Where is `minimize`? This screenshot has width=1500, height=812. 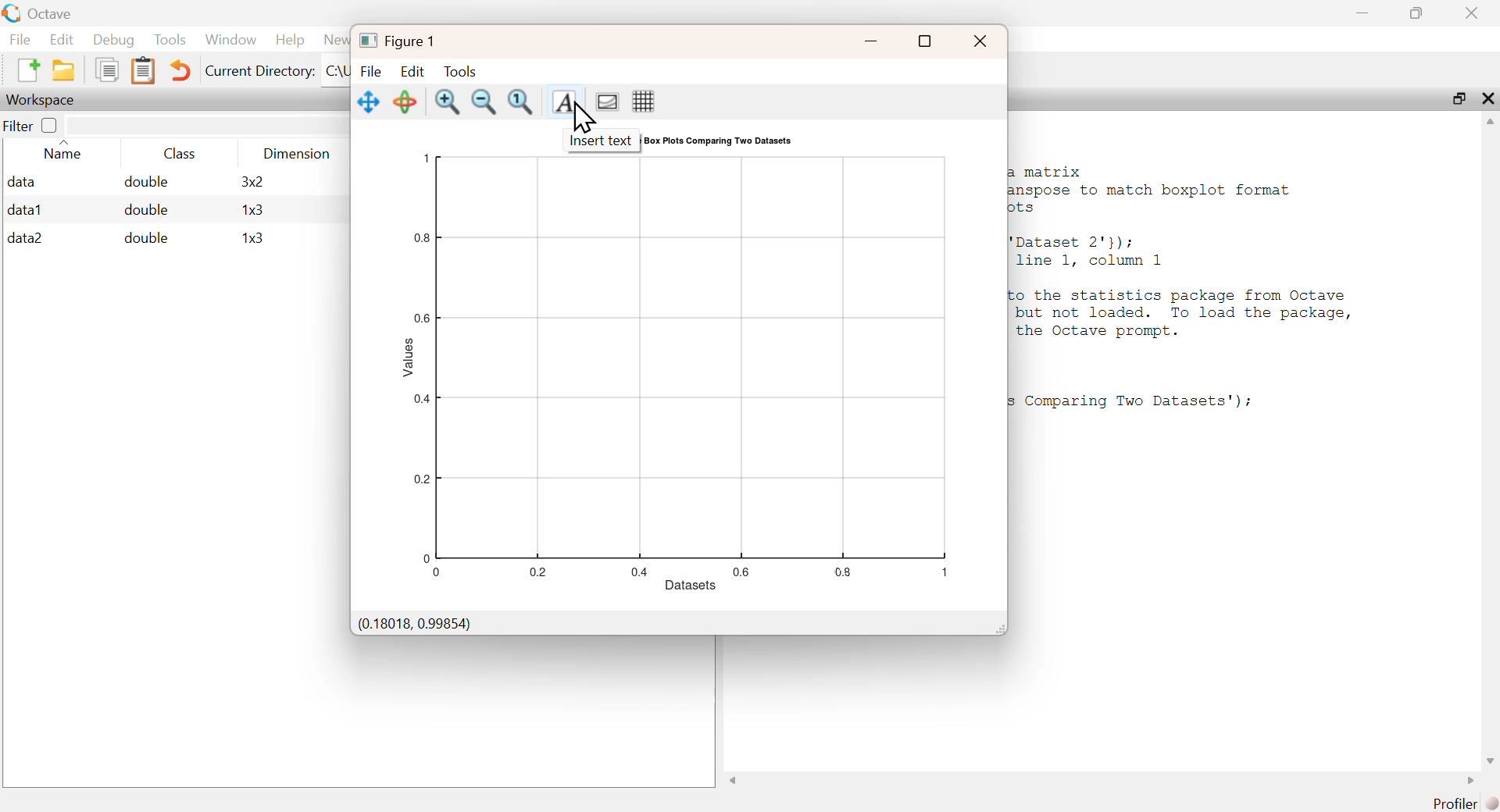 minimize is located at coordinates (871, 42).